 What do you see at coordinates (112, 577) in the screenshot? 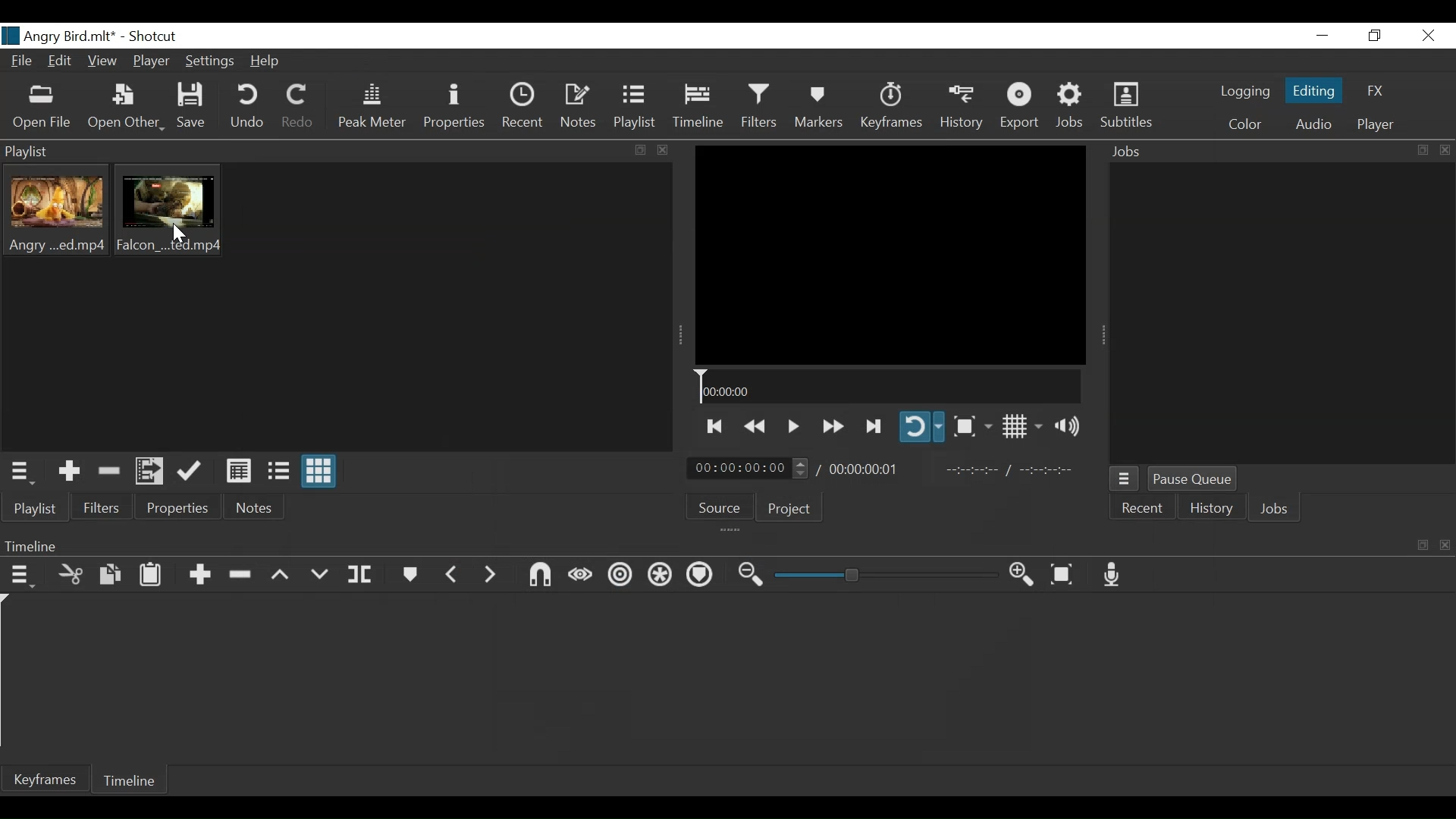
I see `Copy` at bounding box center [112, 577].